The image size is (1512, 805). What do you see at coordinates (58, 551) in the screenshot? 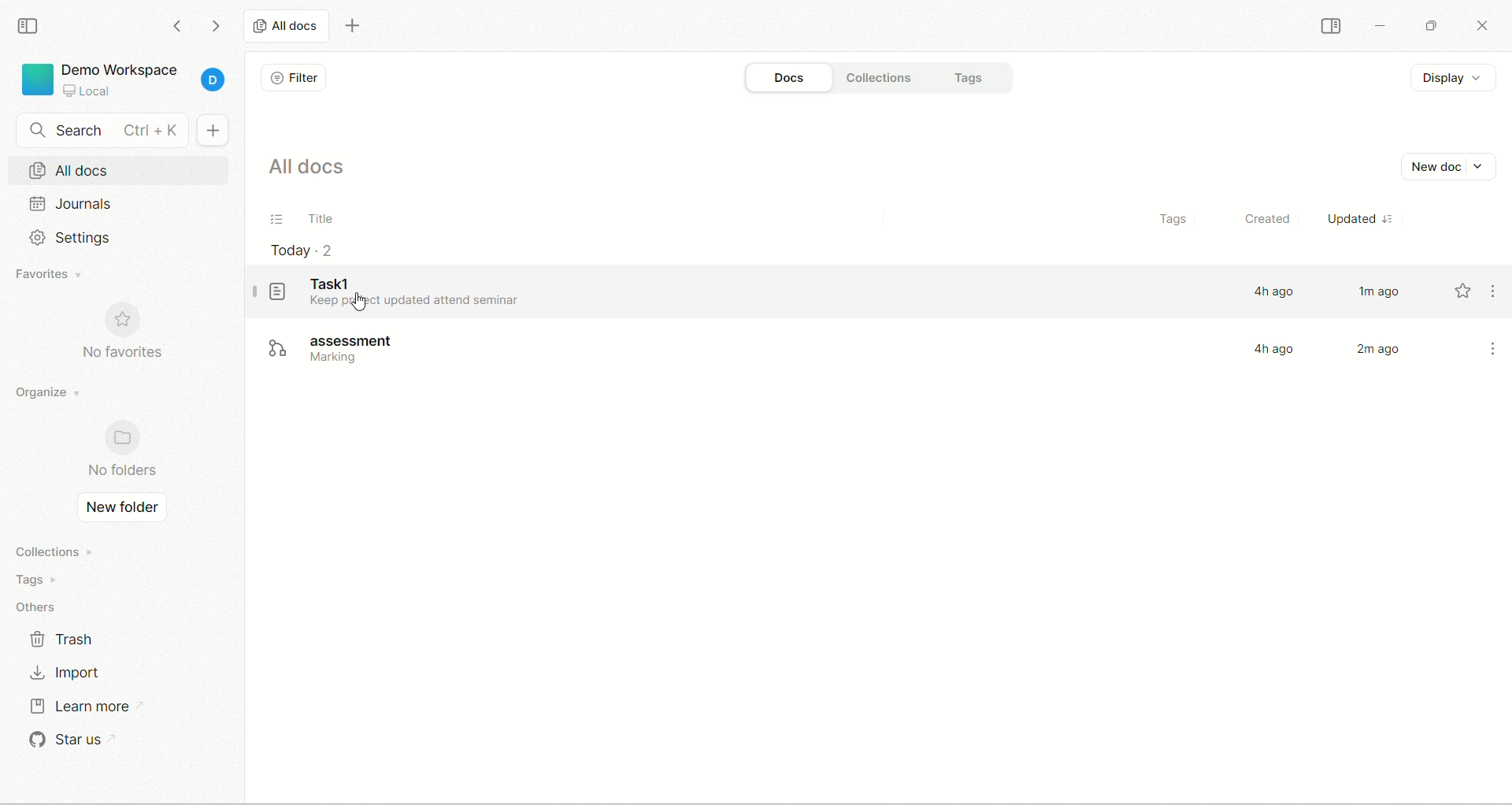
I see `collections` at bounding box center [58, 551].